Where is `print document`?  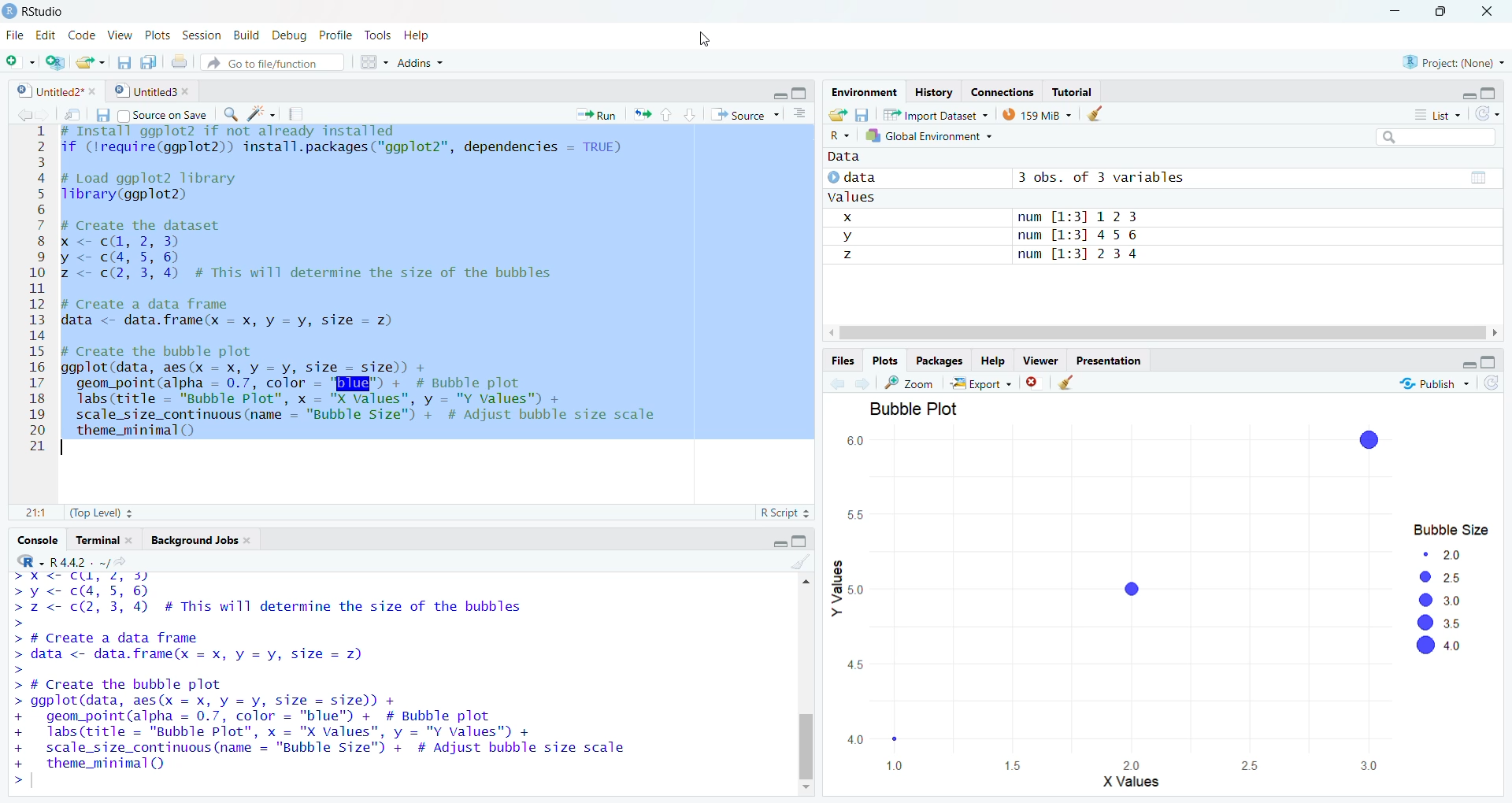
print document is located at coordinates (180, 60).